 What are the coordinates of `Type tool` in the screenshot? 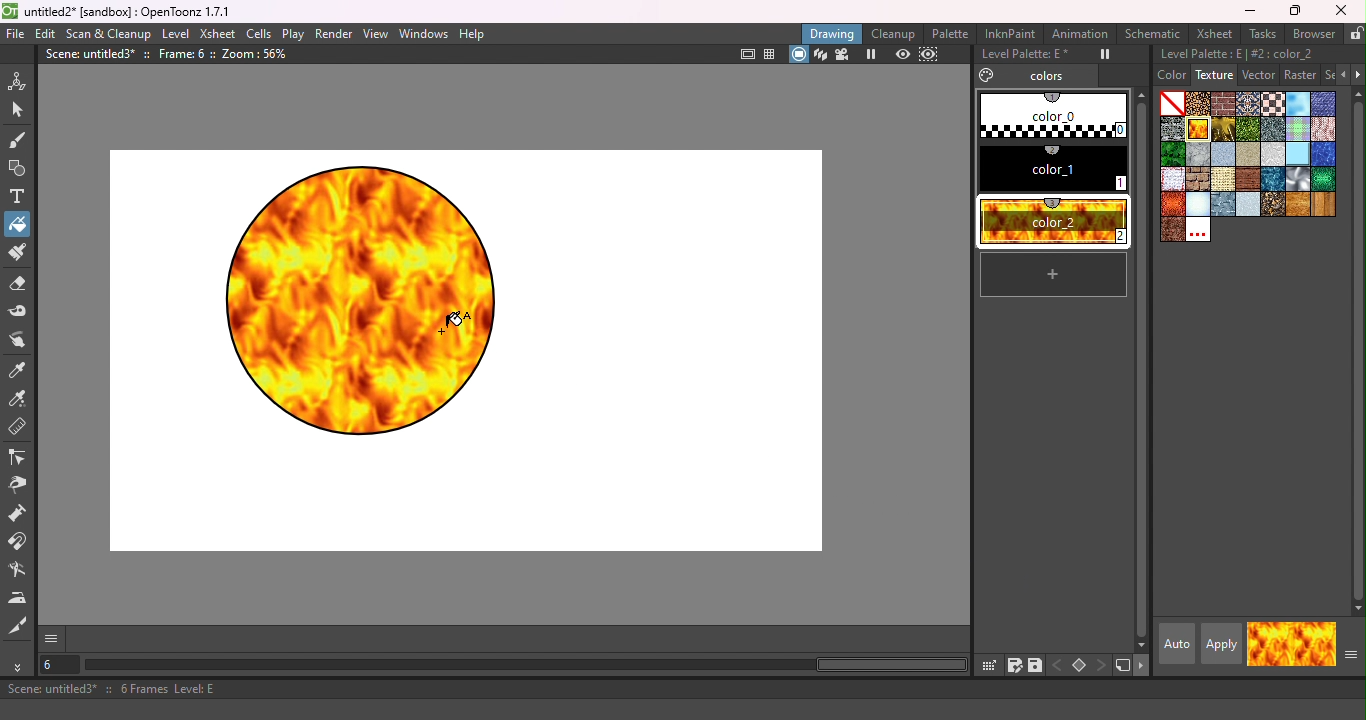 It's located at (22, 196).